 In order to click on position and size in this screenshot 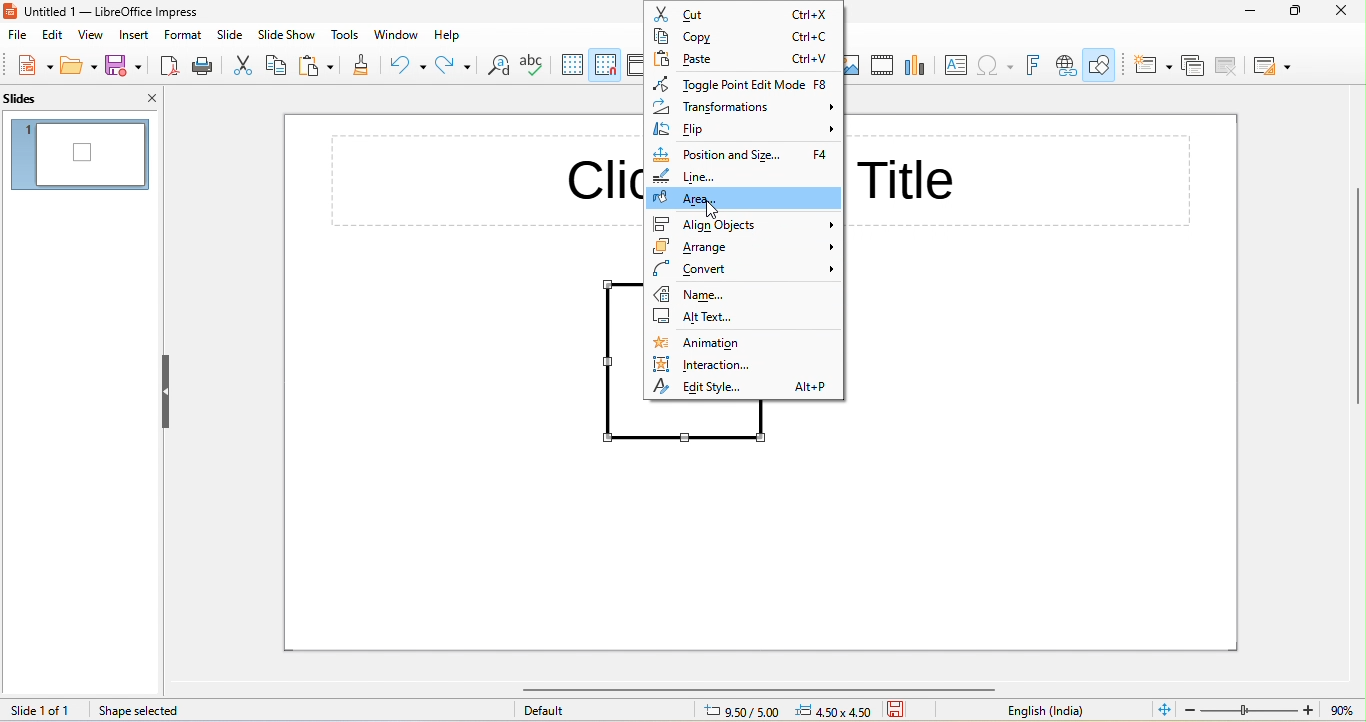, I will do `click(721, 155)`.